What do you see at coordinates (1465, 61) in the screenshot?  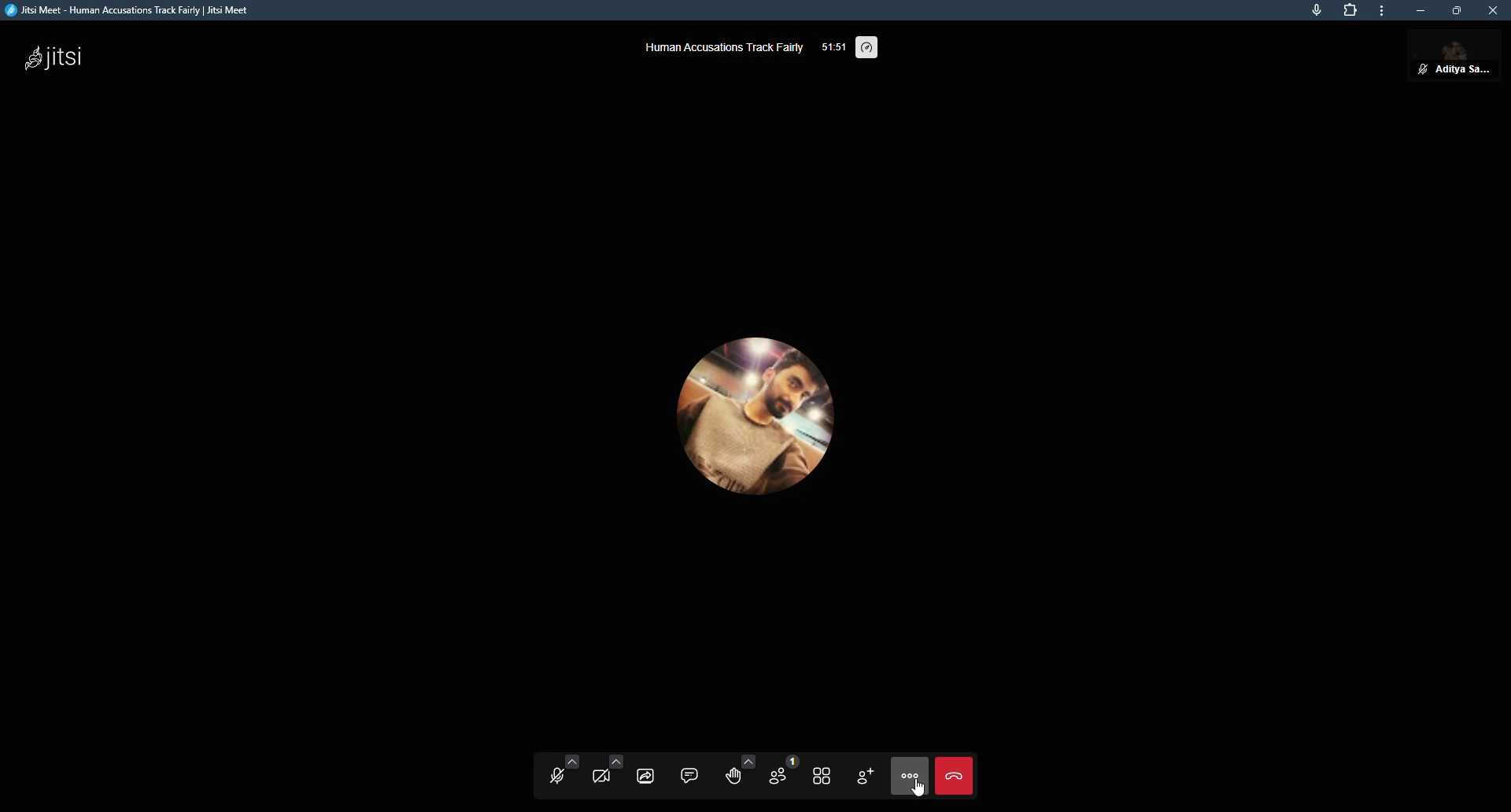 I see `profile` at bounding box center [1465, 61].